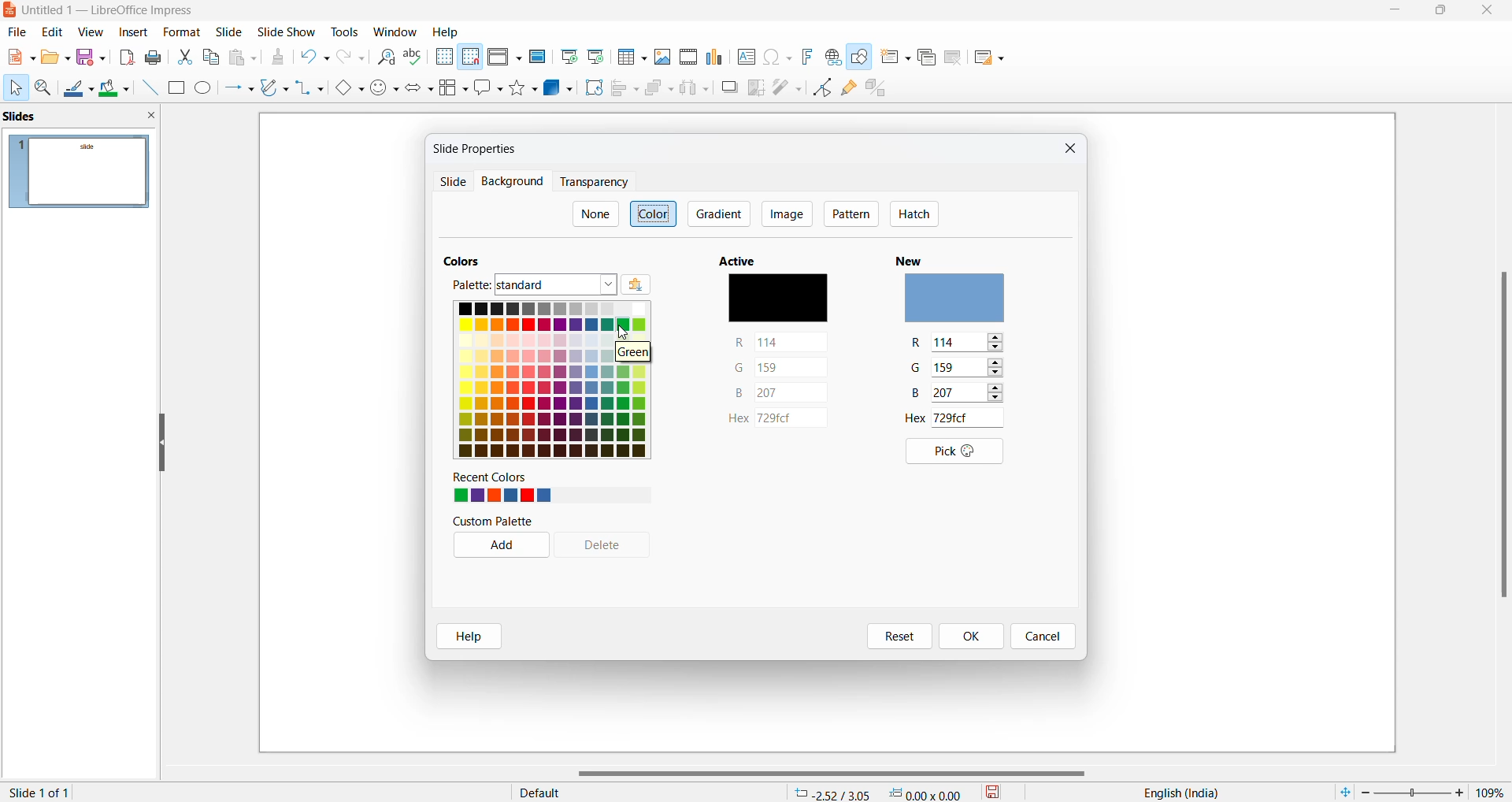 The image size is (1512, 802). What do you see at coordinates (743, 260) in the screenshot?
I see `active ` at bounding box center [743, 260].